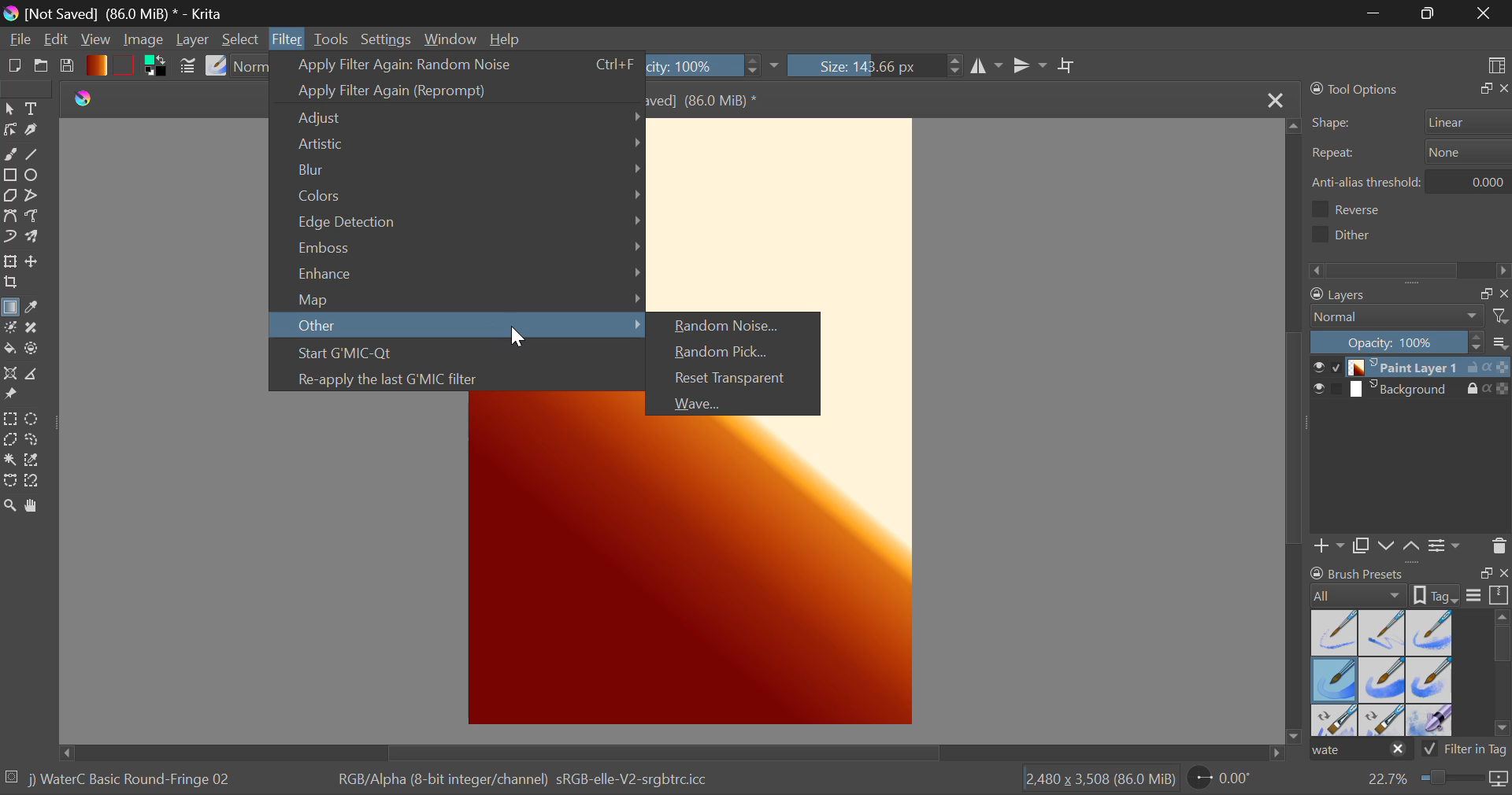  I want to click on menu, so click(1474, 597).